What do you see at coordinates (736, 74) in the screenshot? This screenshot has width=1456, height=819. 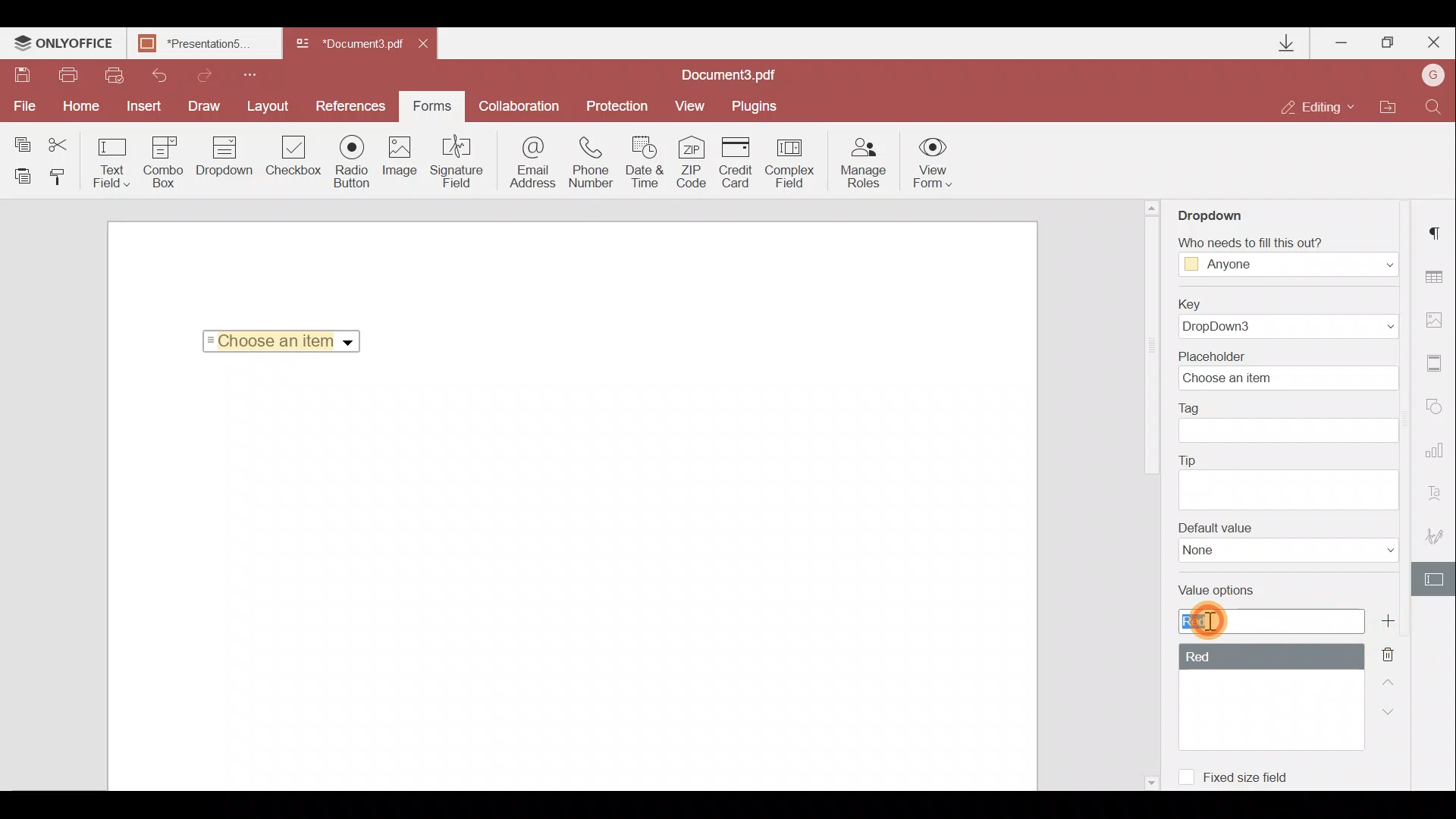 I see `Document name` at bounding box center [736, 74].